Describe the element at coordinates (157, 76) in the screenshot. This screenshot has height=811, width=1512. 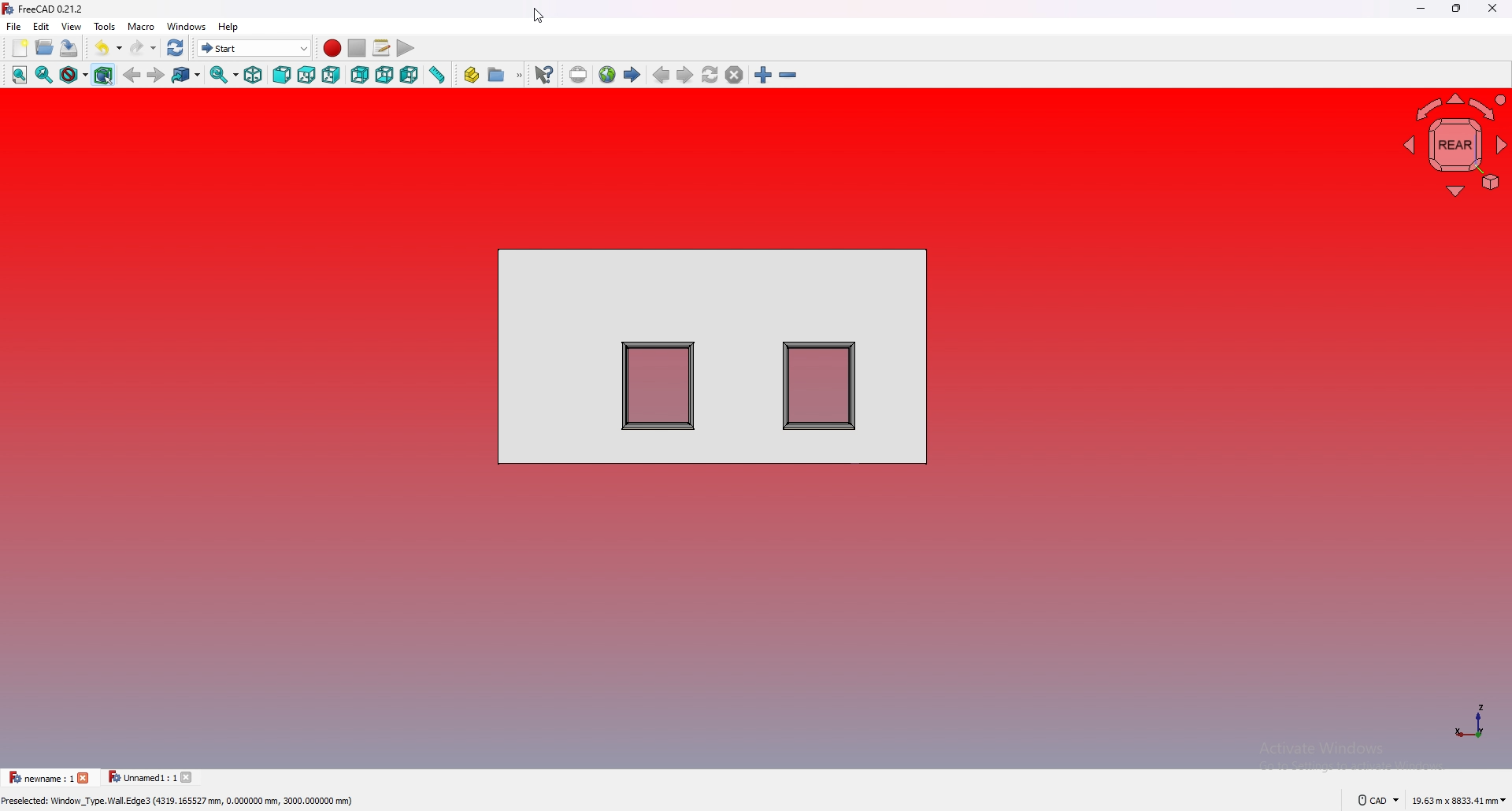
I see `forward` at that location.